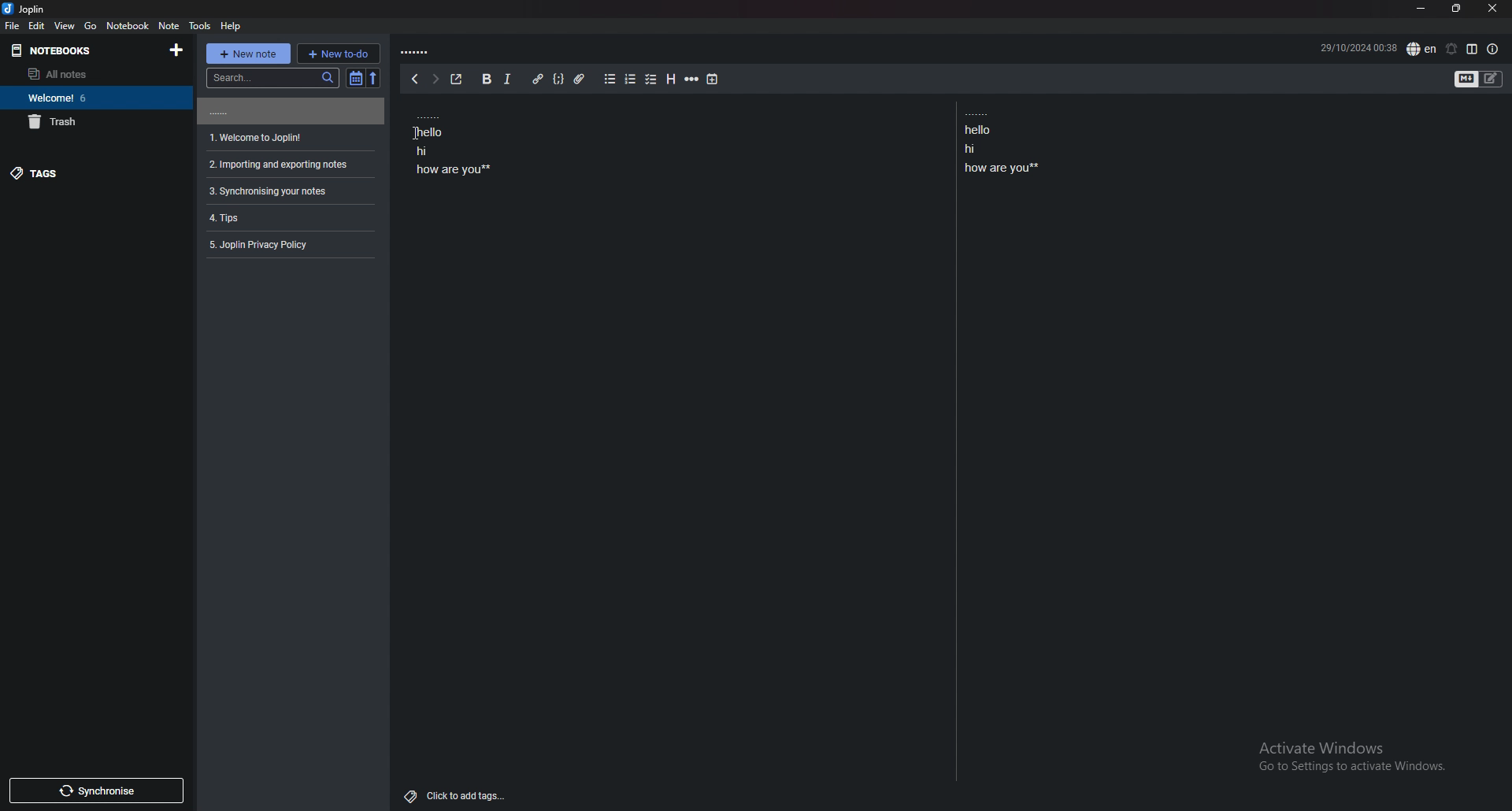 This screenshot has width=1512, height=811. I want to click on note text, so click(1004, 143).